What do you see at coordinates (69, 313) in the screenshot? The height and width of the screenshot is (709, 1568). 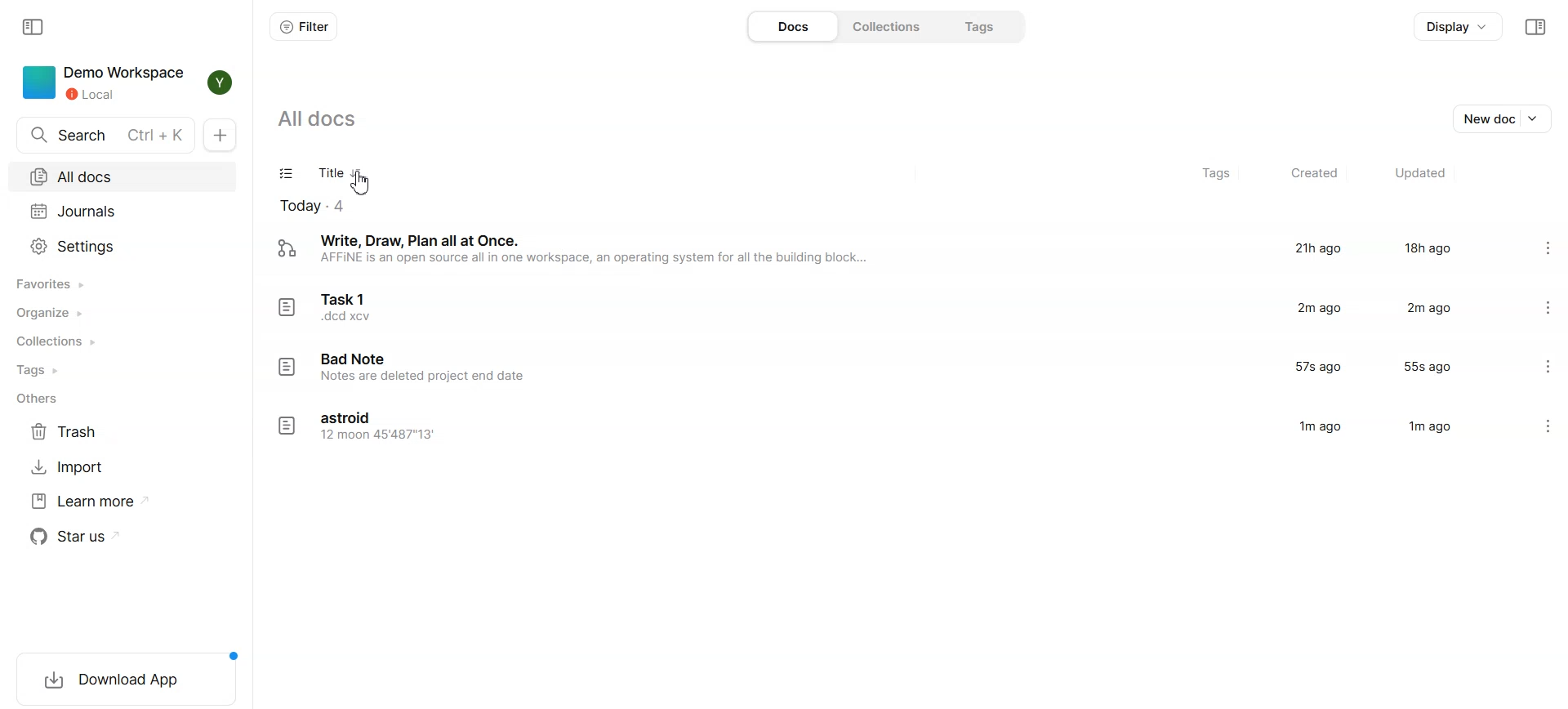 I see `Organize` at bounding box center [69, 313].